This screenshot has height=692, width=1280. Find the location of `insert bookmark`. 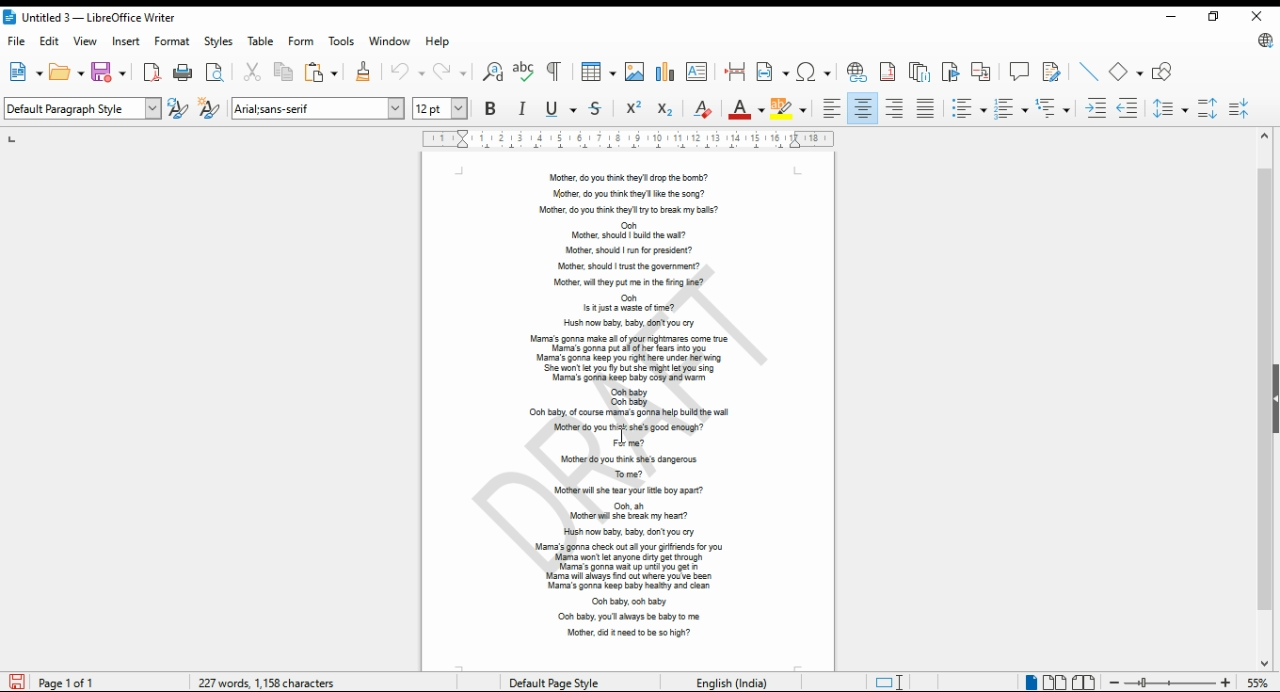

insert bookmark is located at coordinates (950, 72).